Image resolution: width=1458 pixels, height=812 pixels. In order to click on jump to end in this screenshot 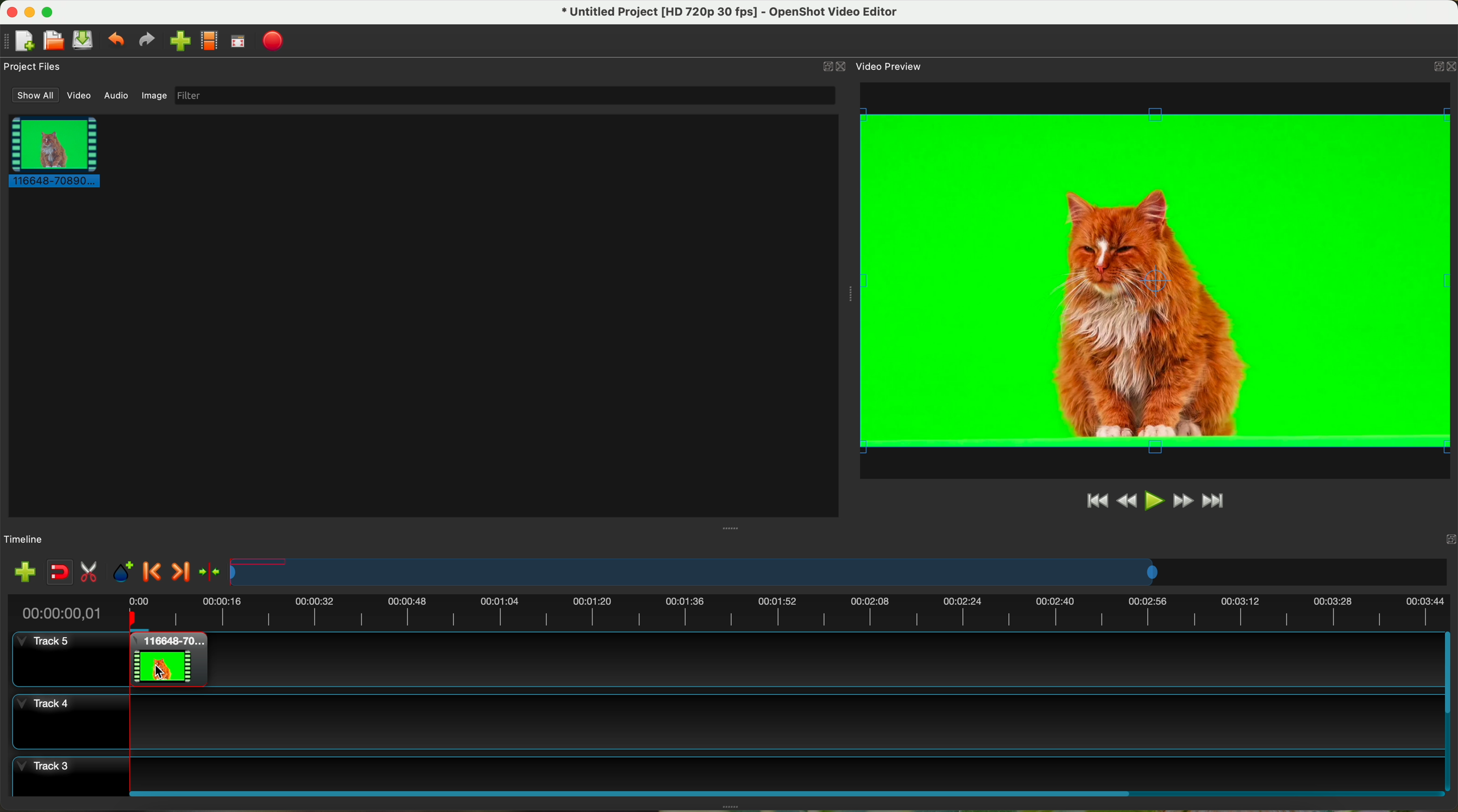, I will do `click(1215, 502)`.